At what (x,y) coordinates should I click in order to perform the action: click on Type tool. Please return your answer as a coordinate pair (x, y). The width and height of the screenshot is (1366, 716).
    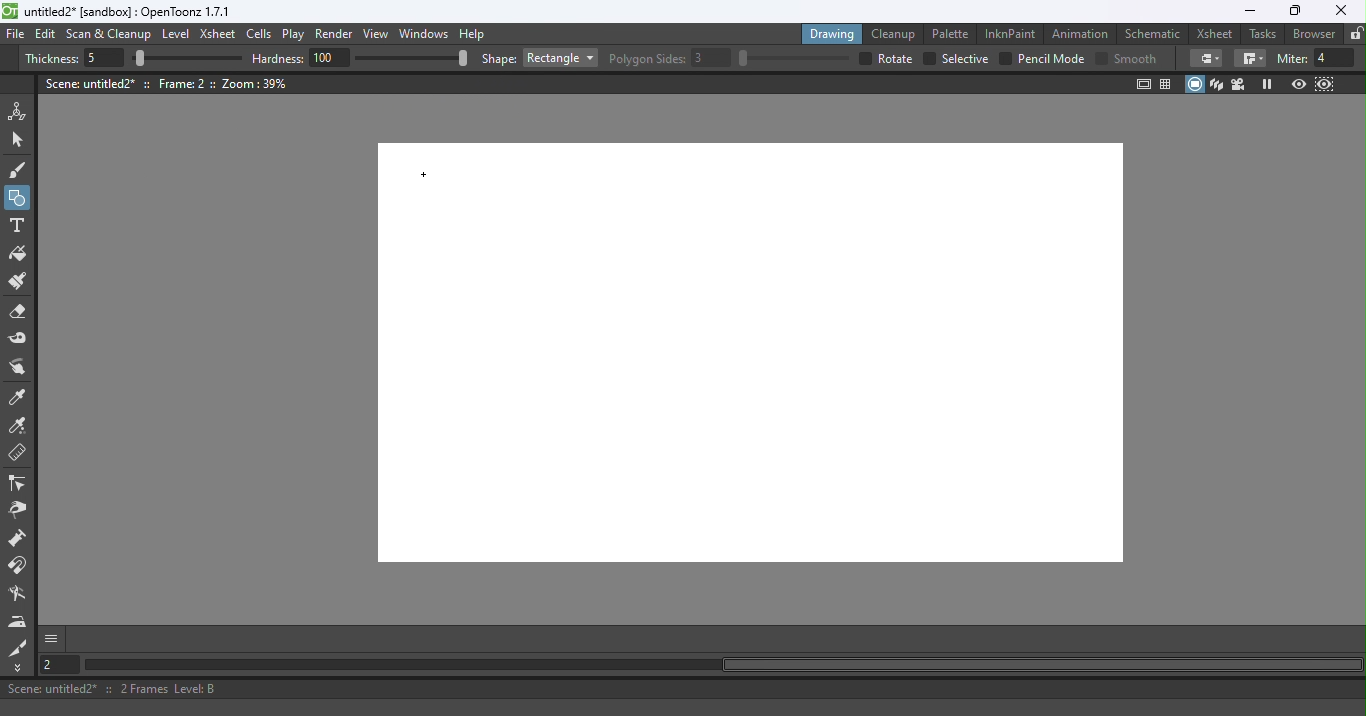
    Looking at the image, I should click on (17, 227).